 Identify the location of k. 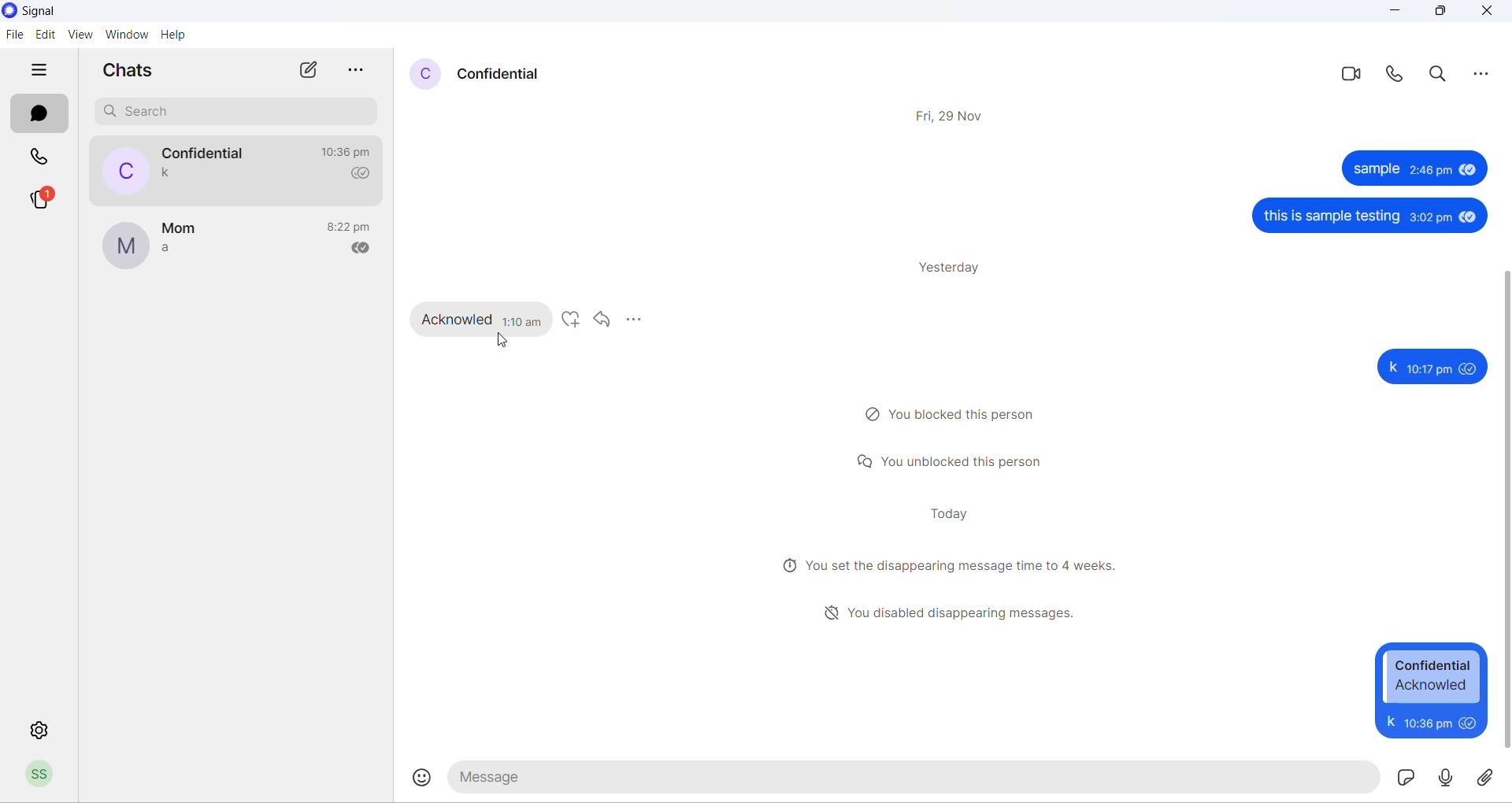
(1390, 722).